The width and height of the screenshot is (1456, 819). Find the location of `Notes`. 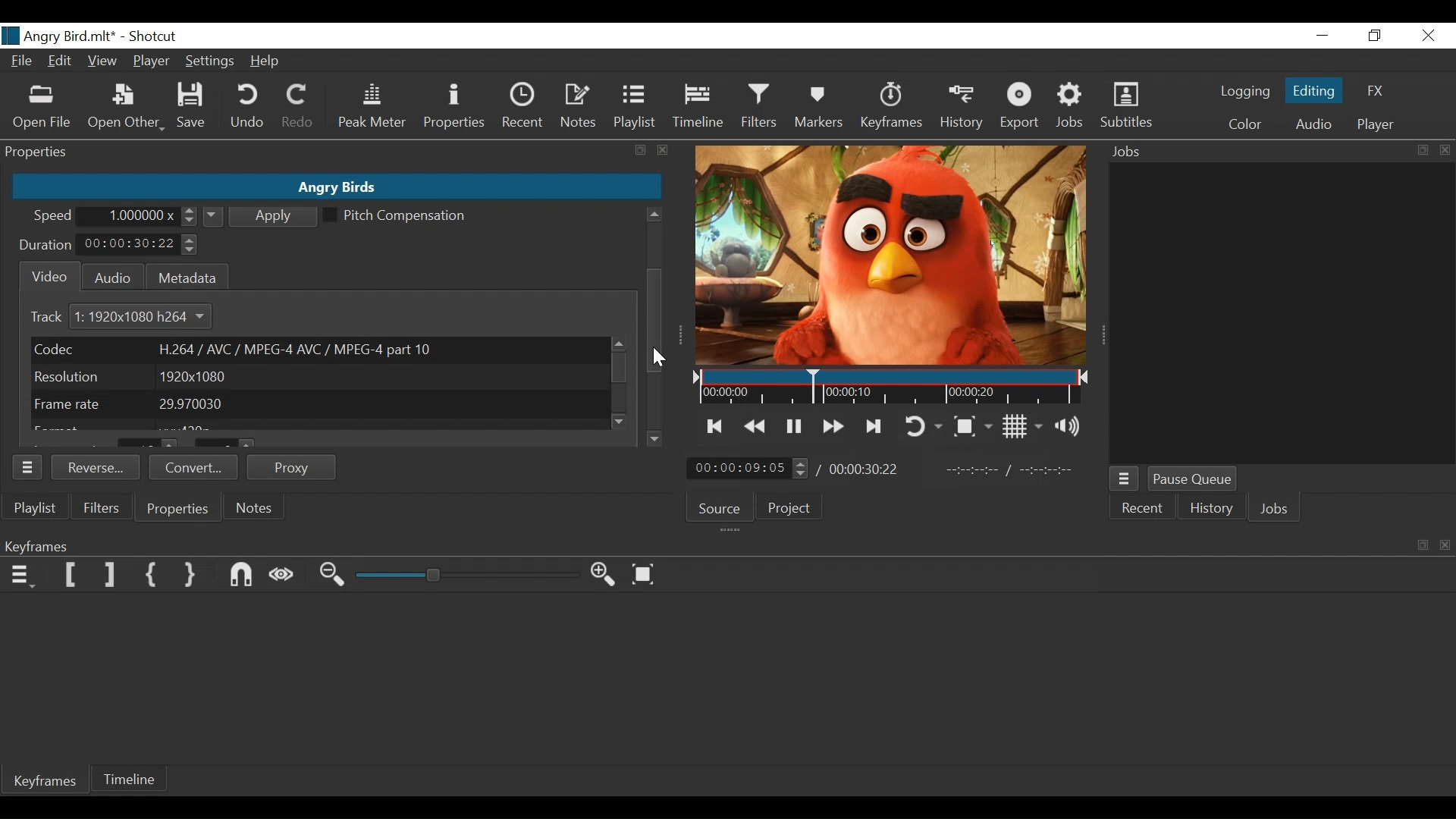

Notes is located at coordinates (251, 507).